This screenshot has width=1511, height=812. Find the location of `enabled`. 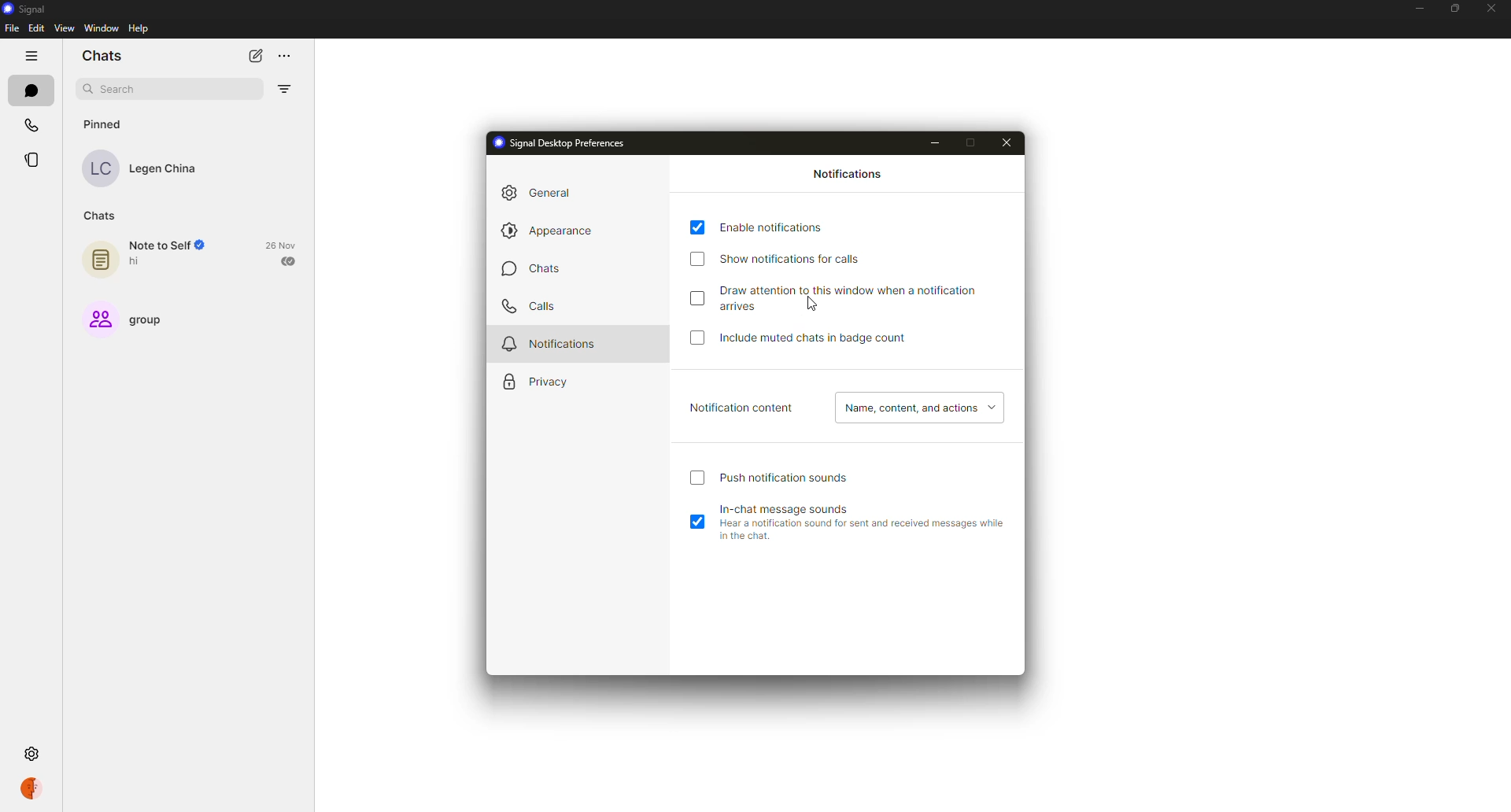

enabled is located at coordinates (696, 522).